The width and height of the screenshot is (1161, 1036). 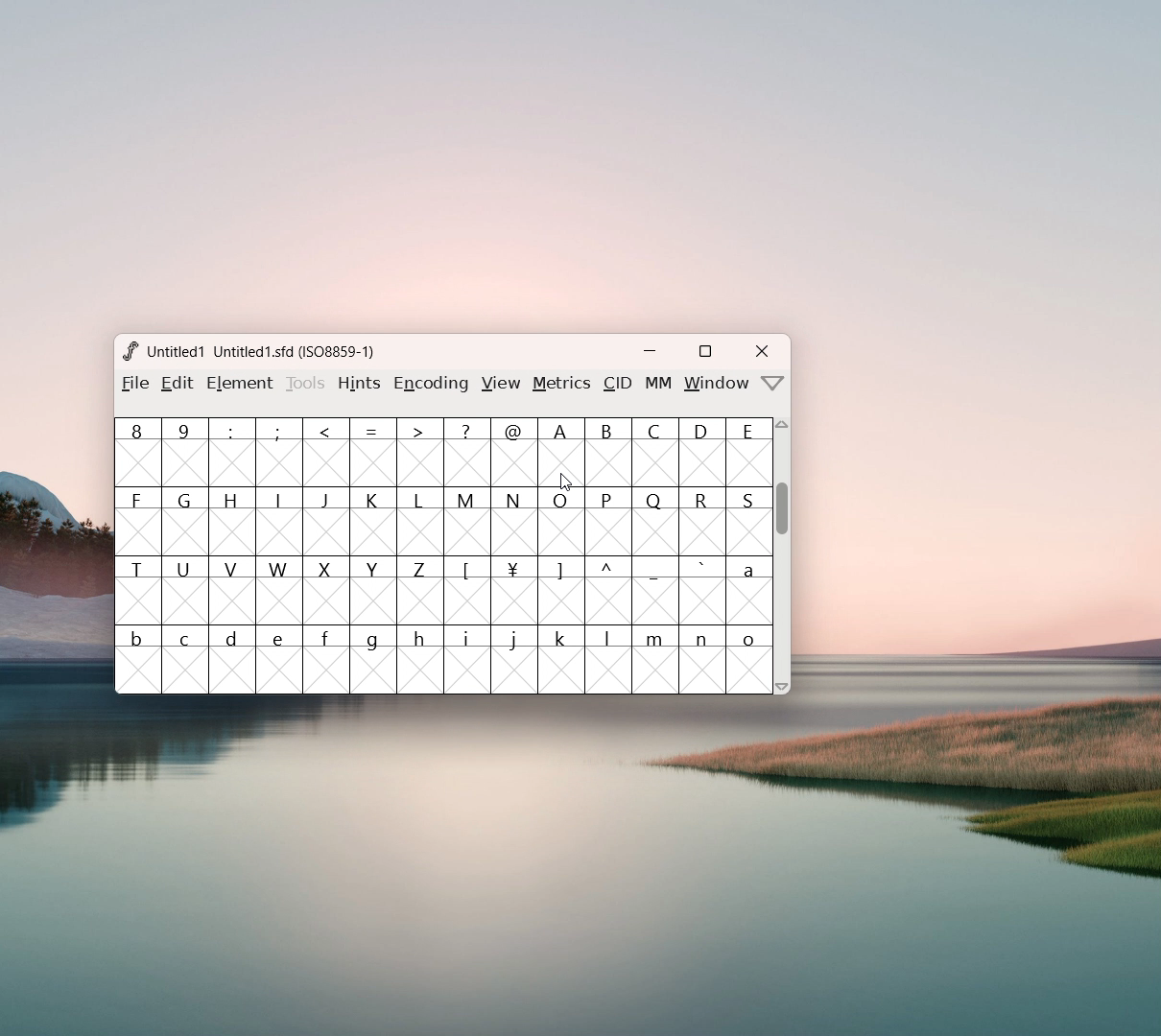 I want to click on l, so click(x=610, y=660).